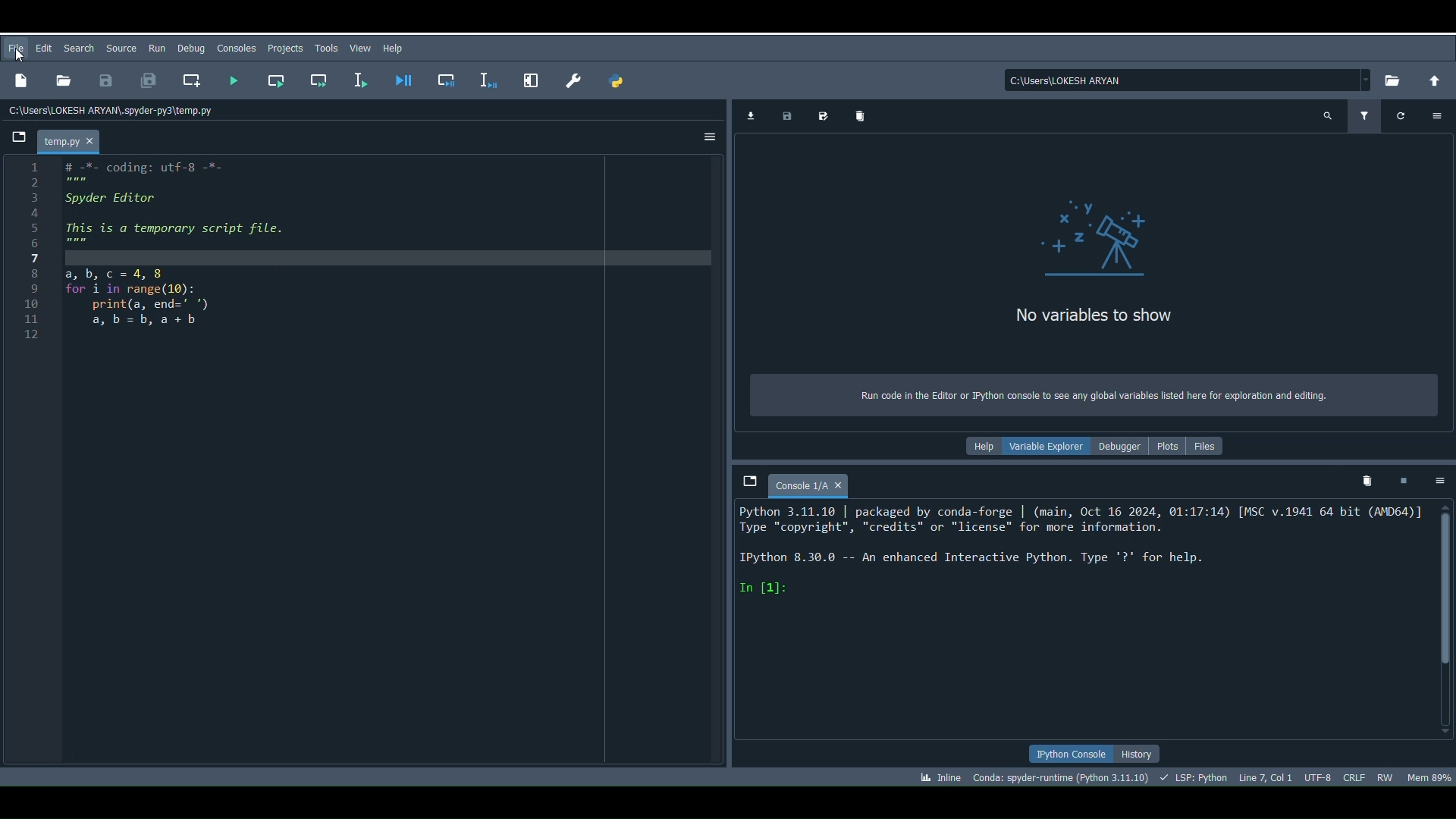 The height and width of the screenshot is (819, 1456). I want to click on Code editor, so click(388, 462).